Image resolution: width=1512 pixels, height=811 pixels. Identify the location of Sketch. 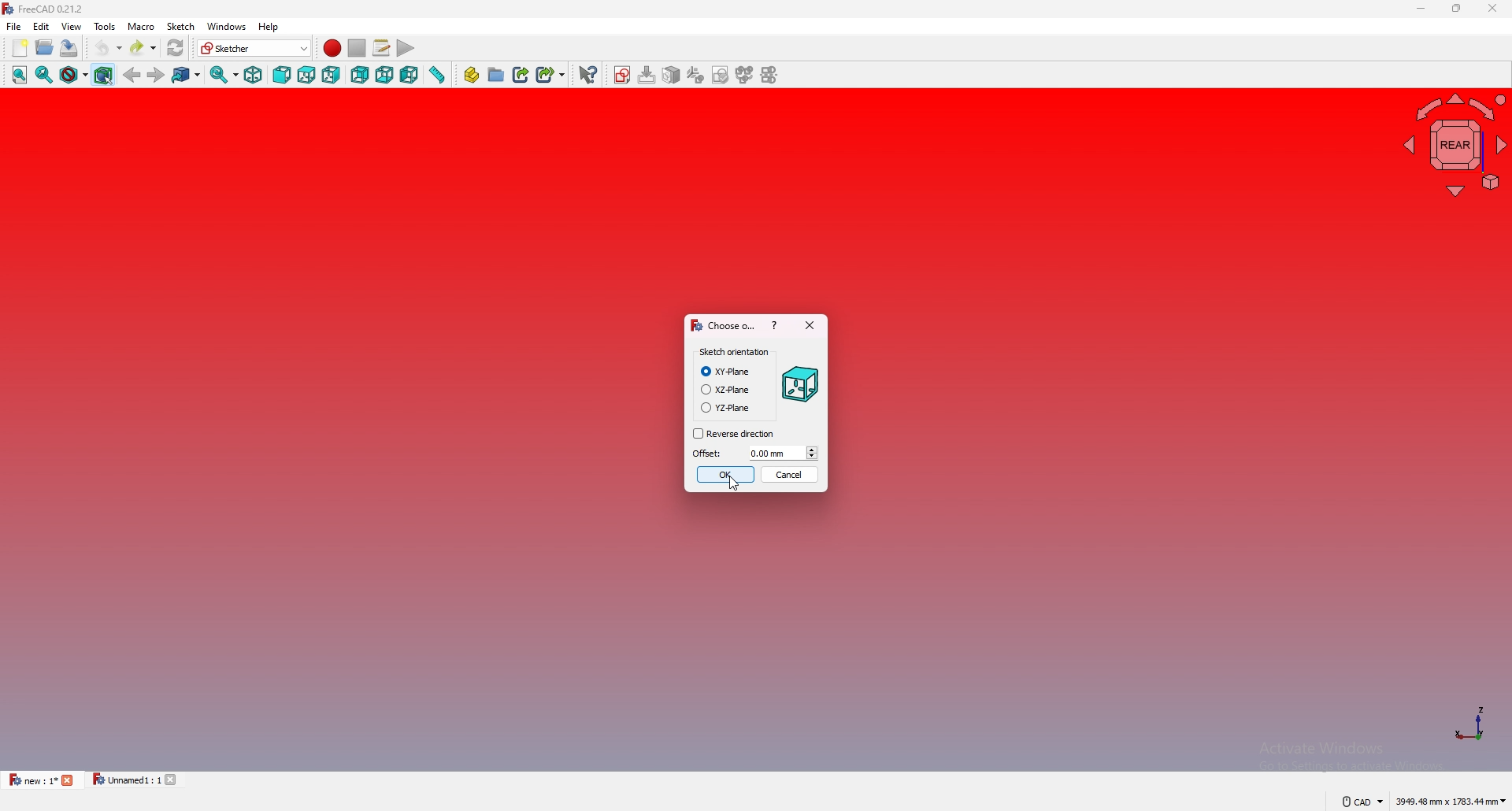
(180, 26).